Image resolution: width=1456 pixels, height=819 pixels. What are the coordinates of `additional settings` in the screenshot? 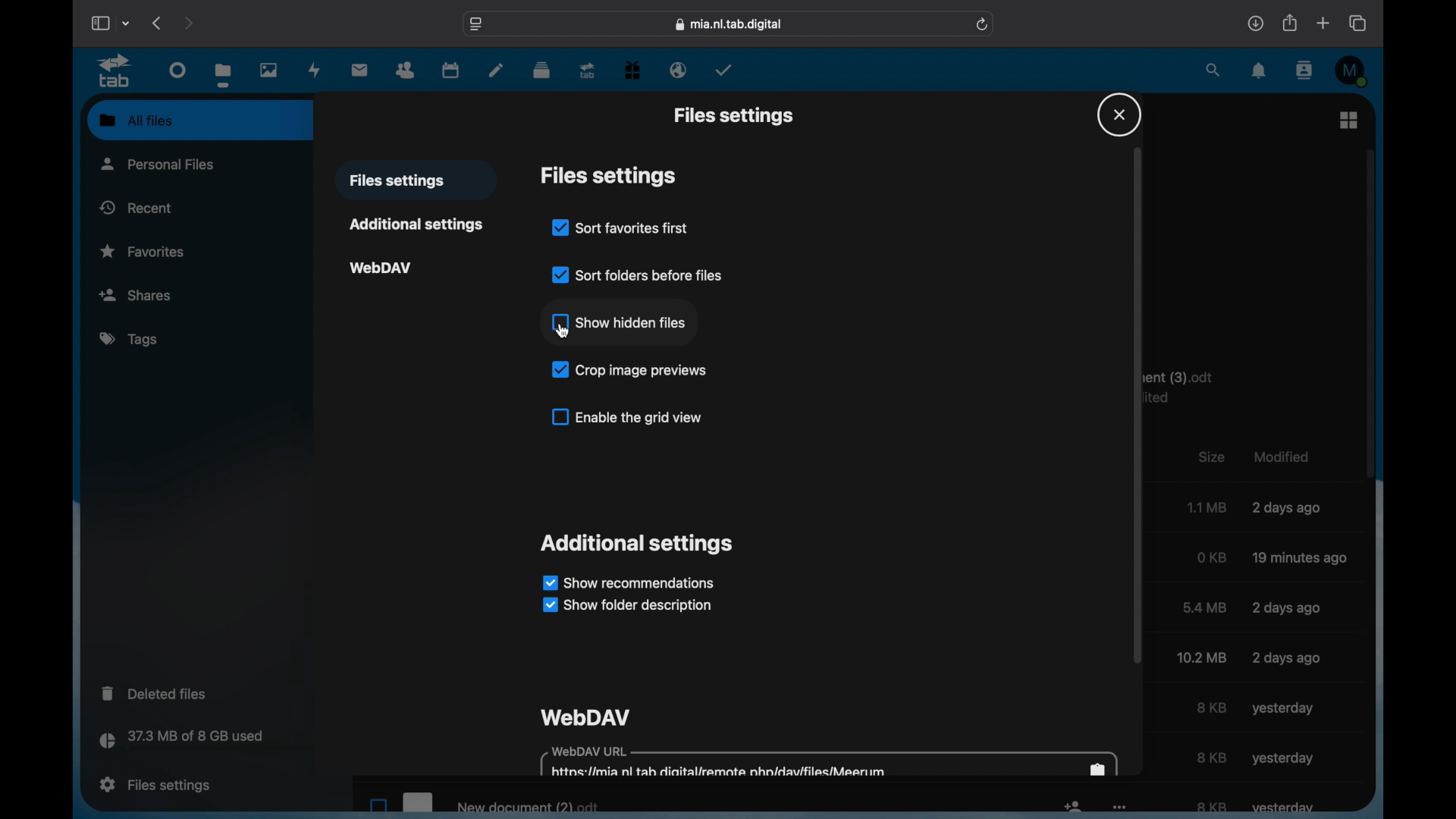 It's located at (417, 224).